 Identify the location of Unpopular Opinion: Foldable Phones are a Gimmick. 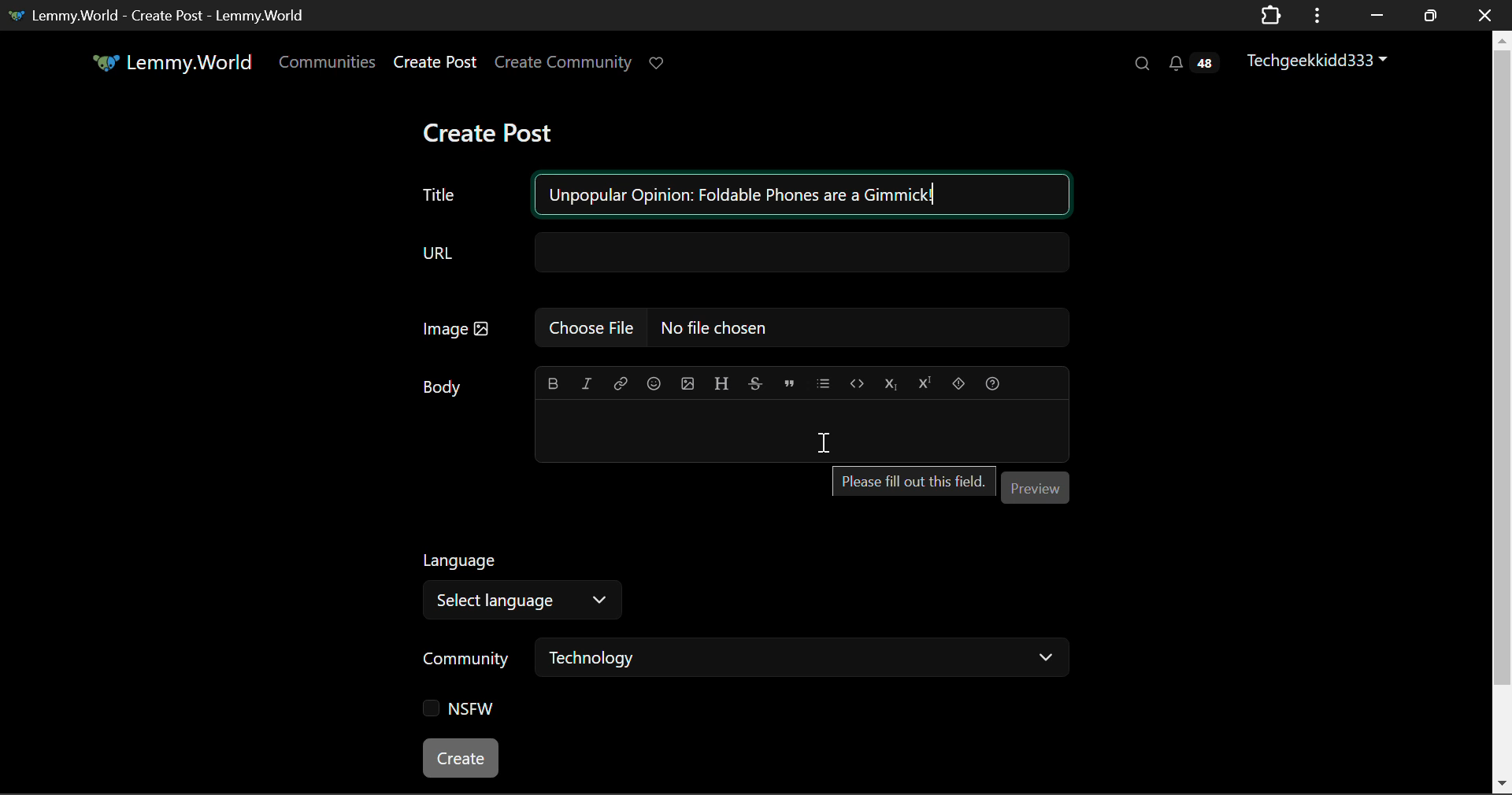
(743, 195).